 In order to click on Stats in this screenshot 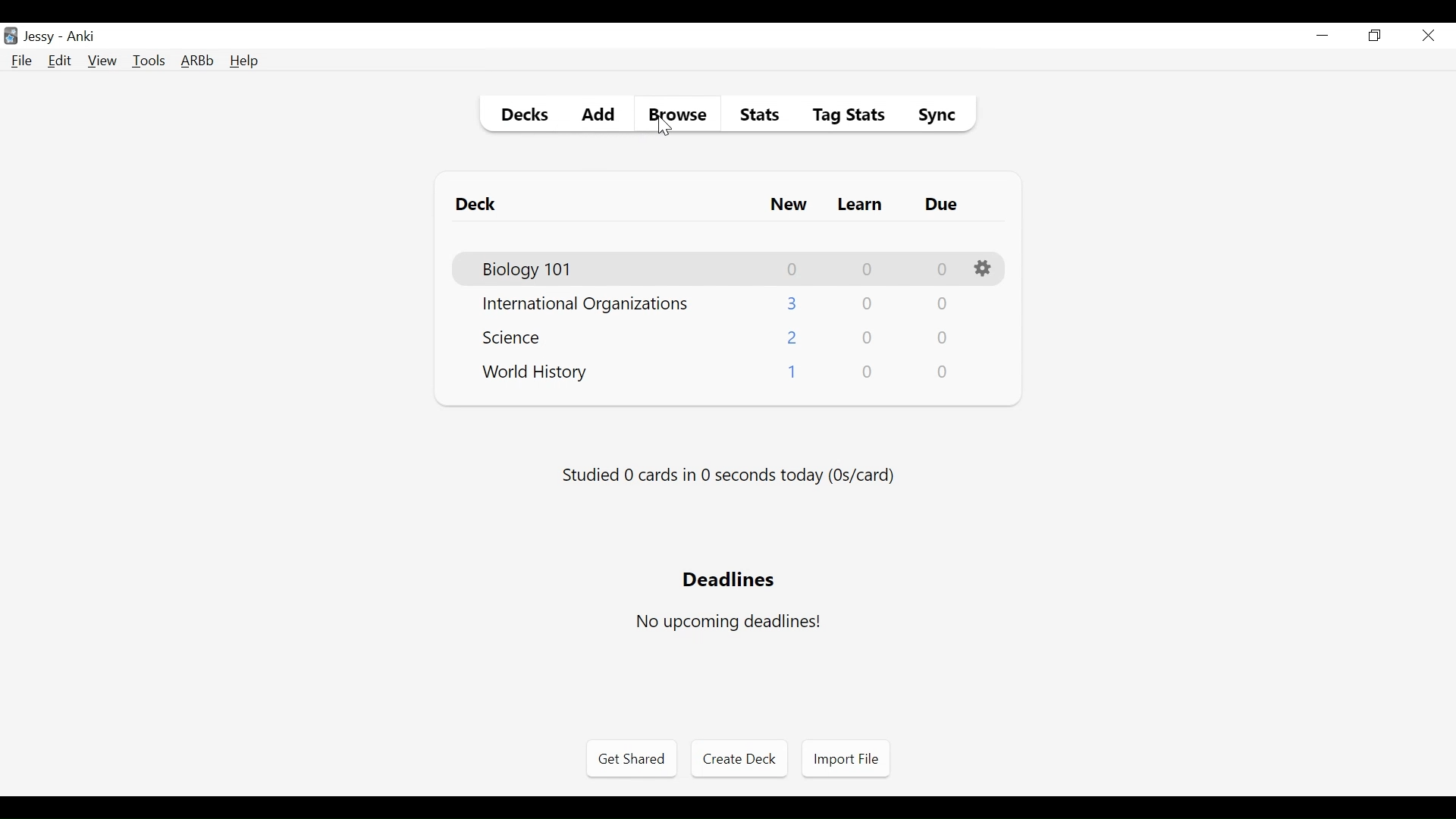, I will do `click(755, 115)`.